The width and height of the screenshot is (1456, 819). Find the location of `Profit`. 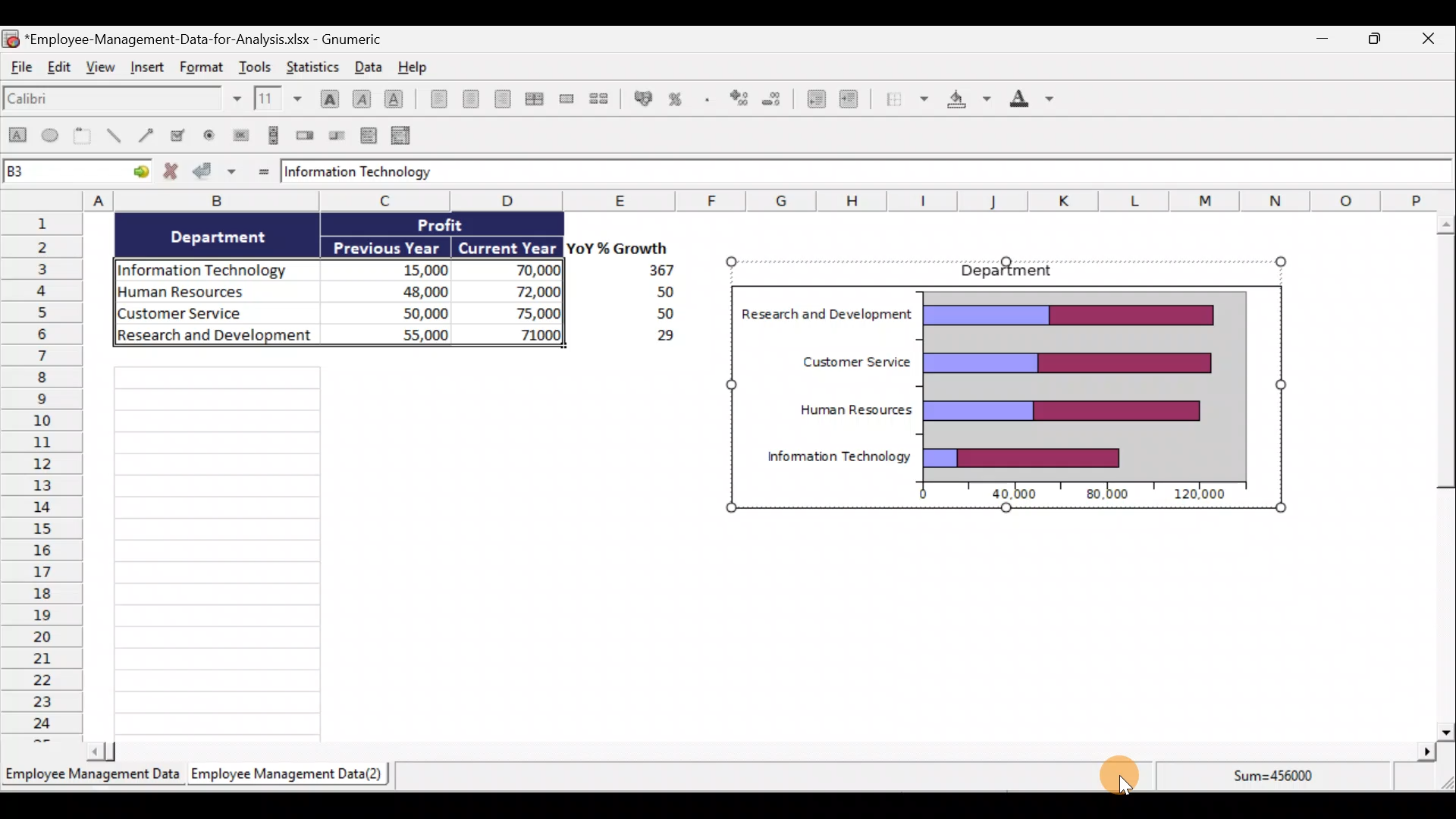

Profit is located at coordinates (453, 227).